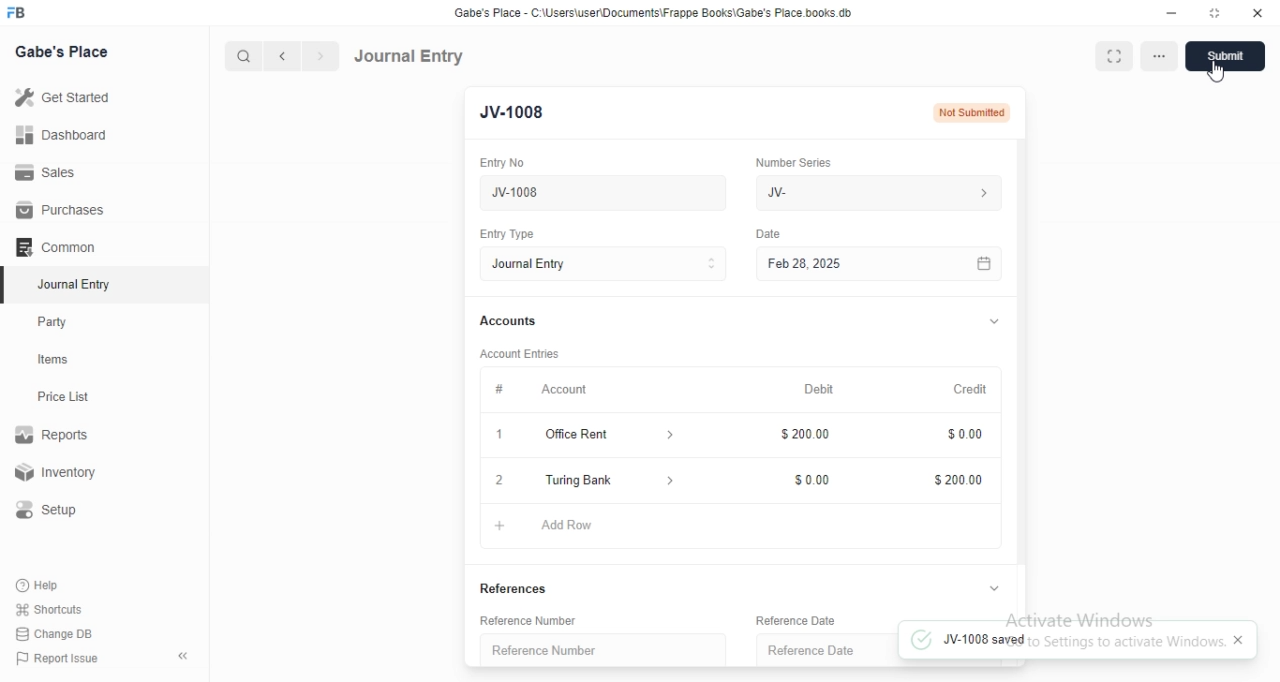  Describe the element at coordinates (18, 13) in the screenshot. I see `FB logo` at that location.